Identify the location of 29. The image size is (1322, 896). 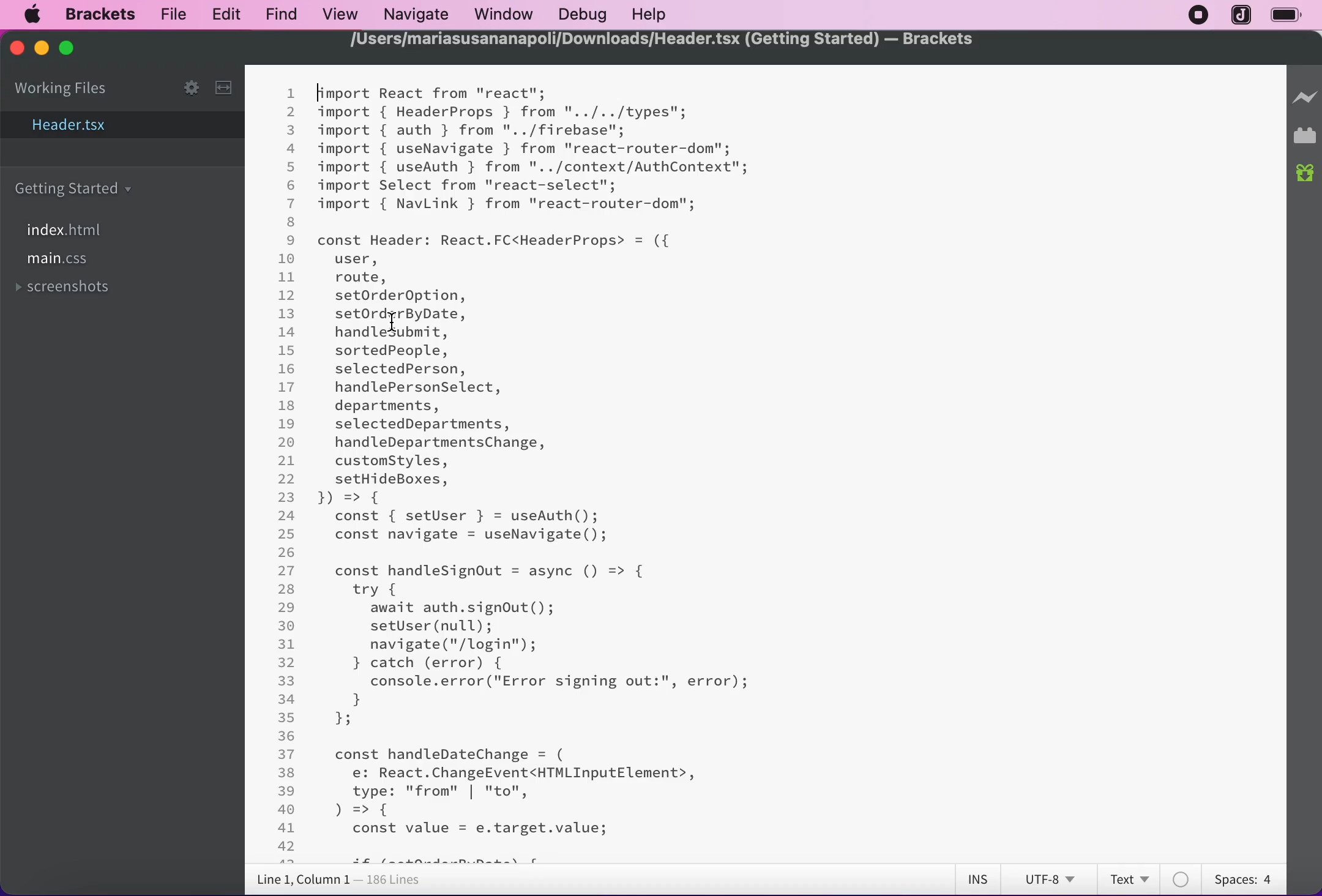
(286, 607).